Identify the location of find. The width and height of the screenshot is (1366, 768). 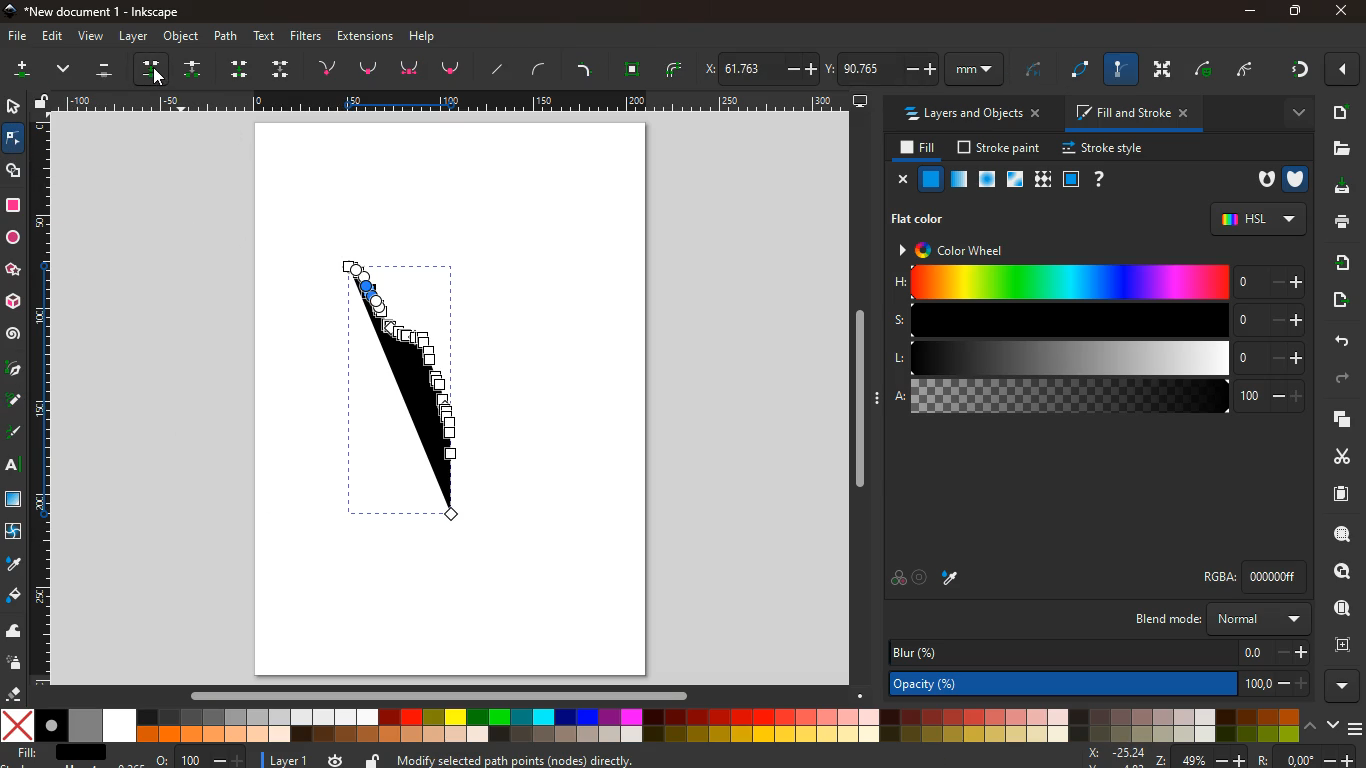
(1335, 572).